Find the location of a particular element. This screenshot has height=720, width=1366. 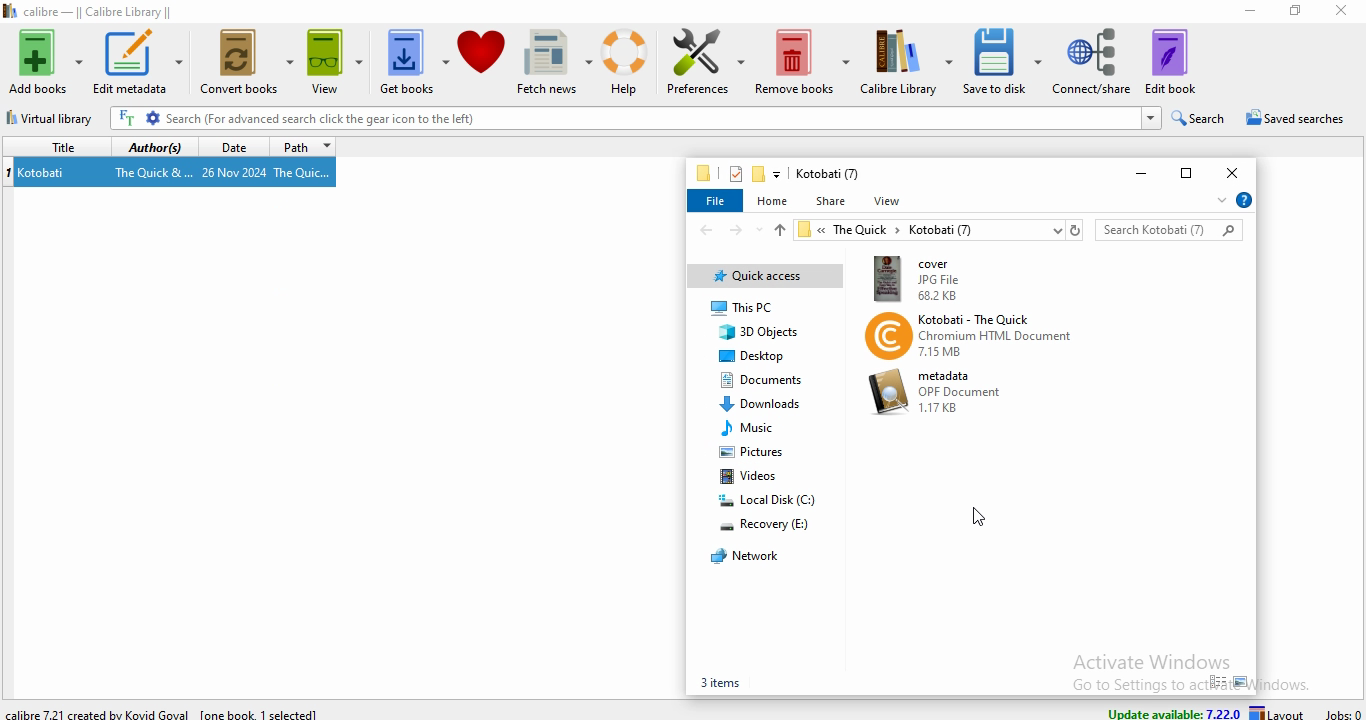

large icon view is located at coordinates (1242, 682).